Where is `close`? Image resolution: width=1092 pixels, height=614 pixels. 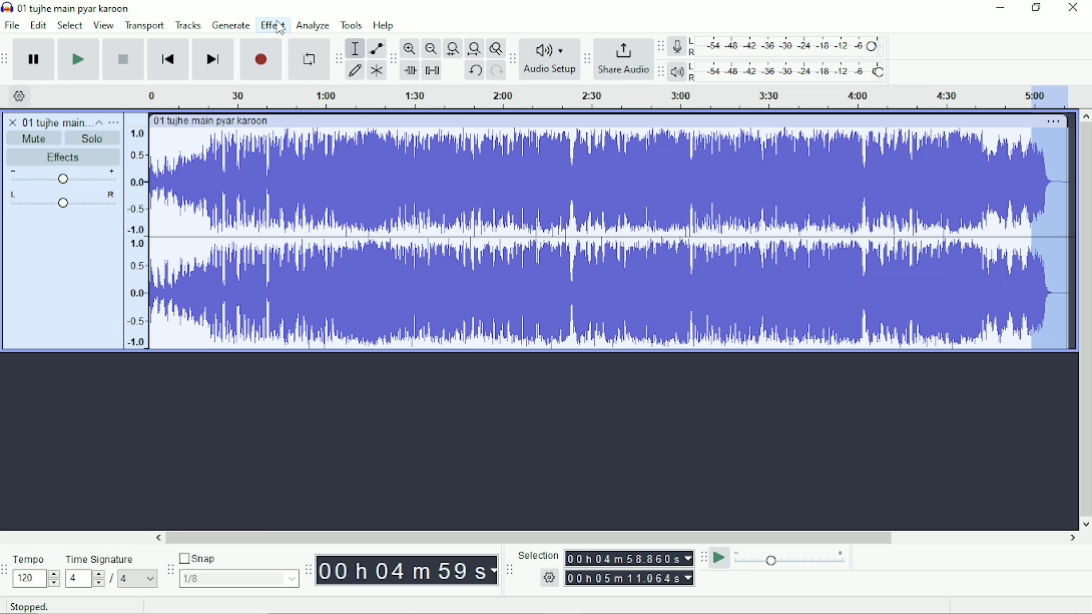
close is located at coordinates (11, 121).